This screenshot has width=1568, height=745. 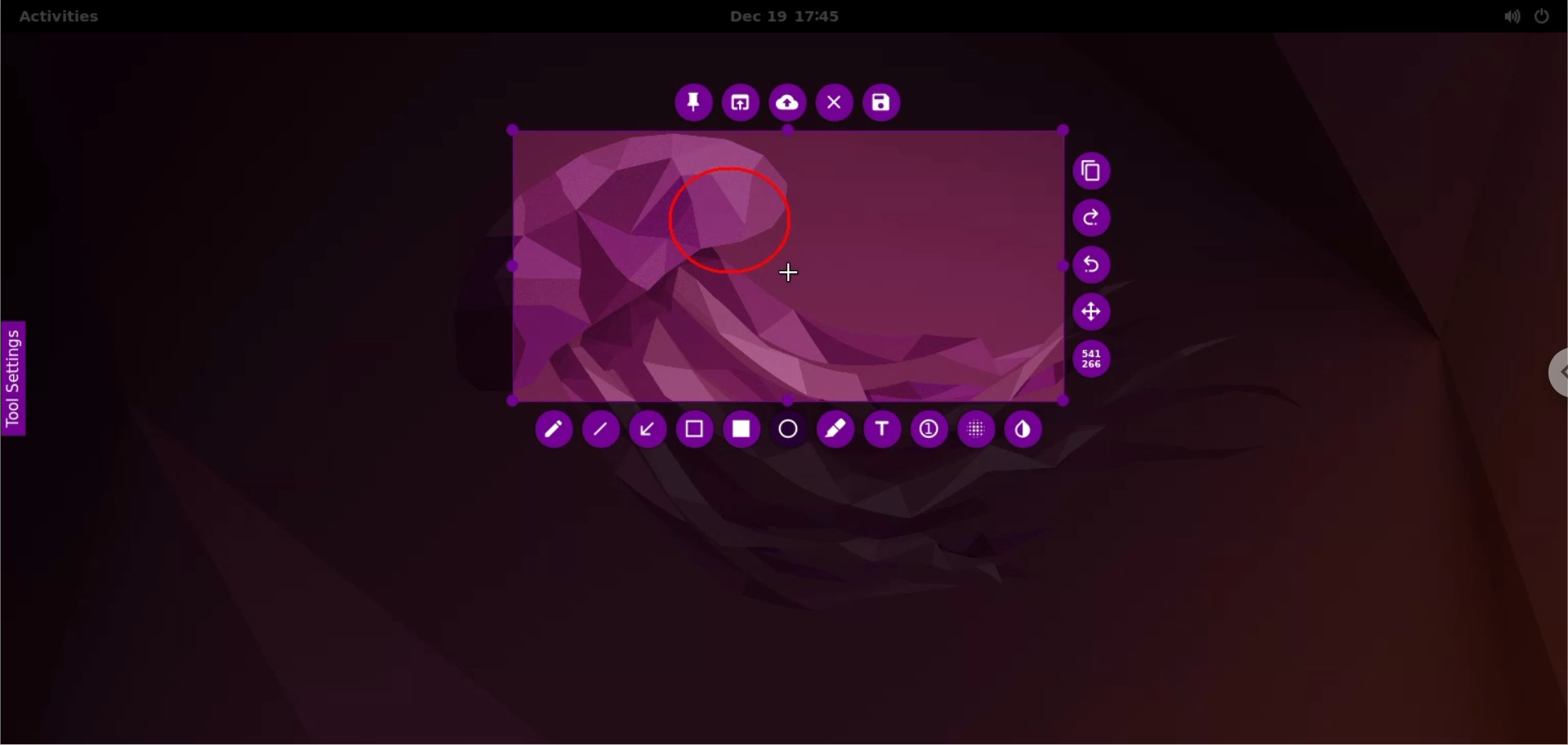 What do you see at coordinates (837, 431) in the screenshot?
I see `marker tool` at bounding box center [837, 431].